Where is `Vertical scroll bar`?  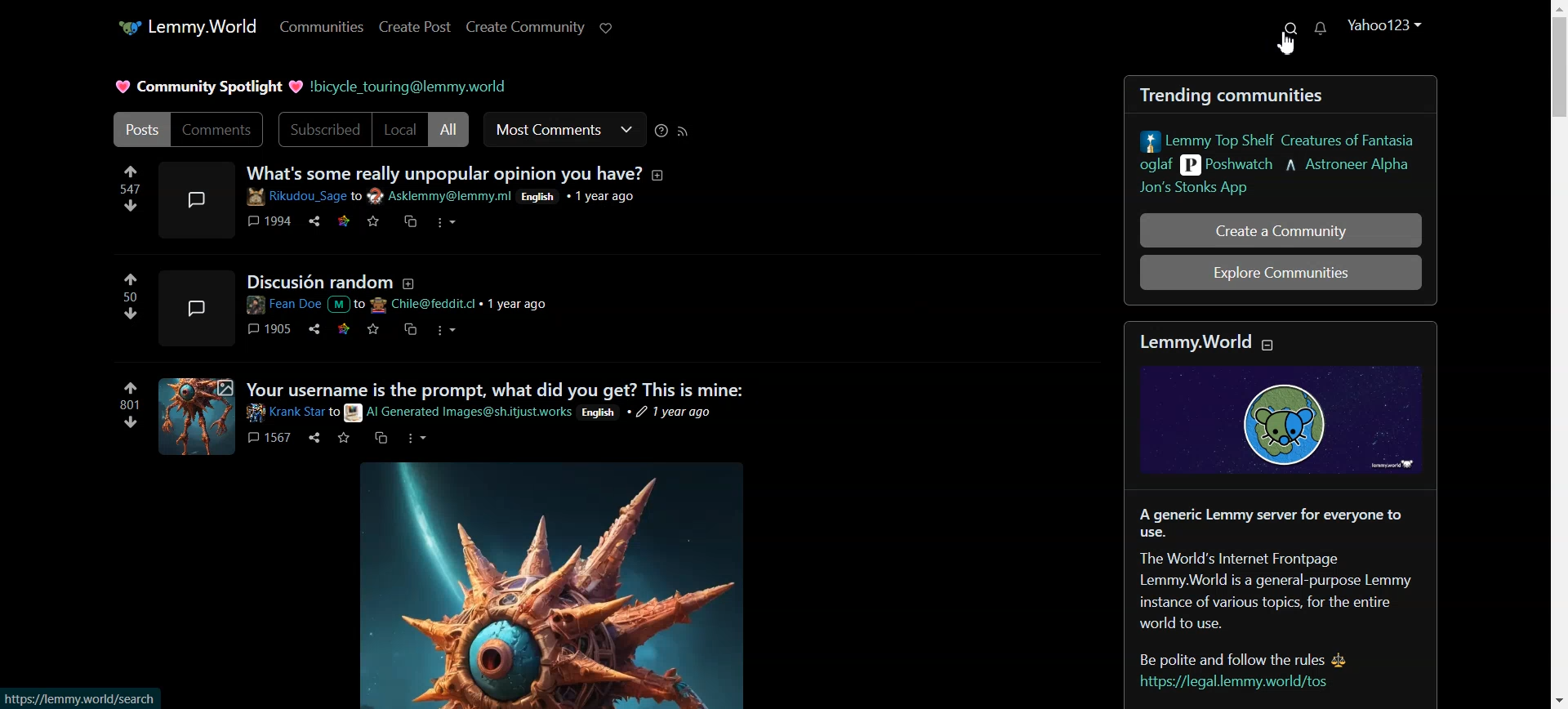
Vertical scroll bar is located at coordinates (1557, 354).